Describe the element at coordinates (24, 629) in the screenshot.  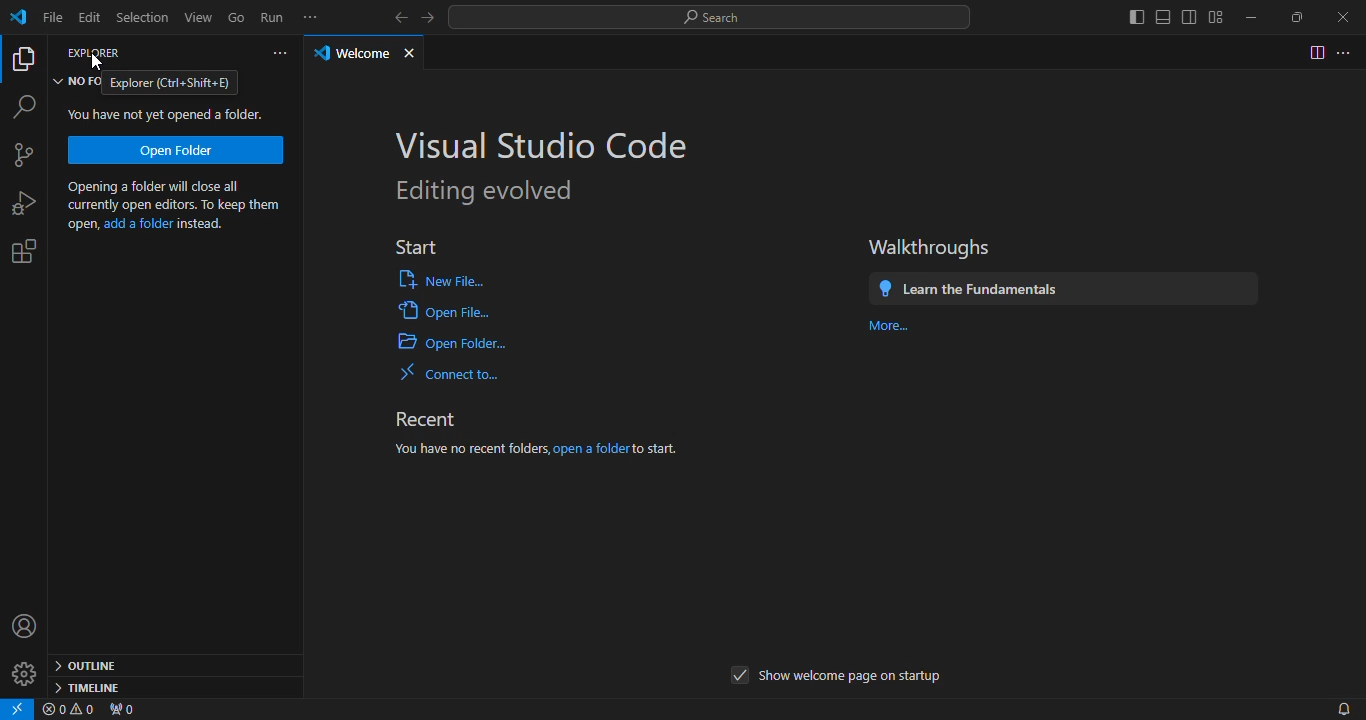
I see `profile` at that location.